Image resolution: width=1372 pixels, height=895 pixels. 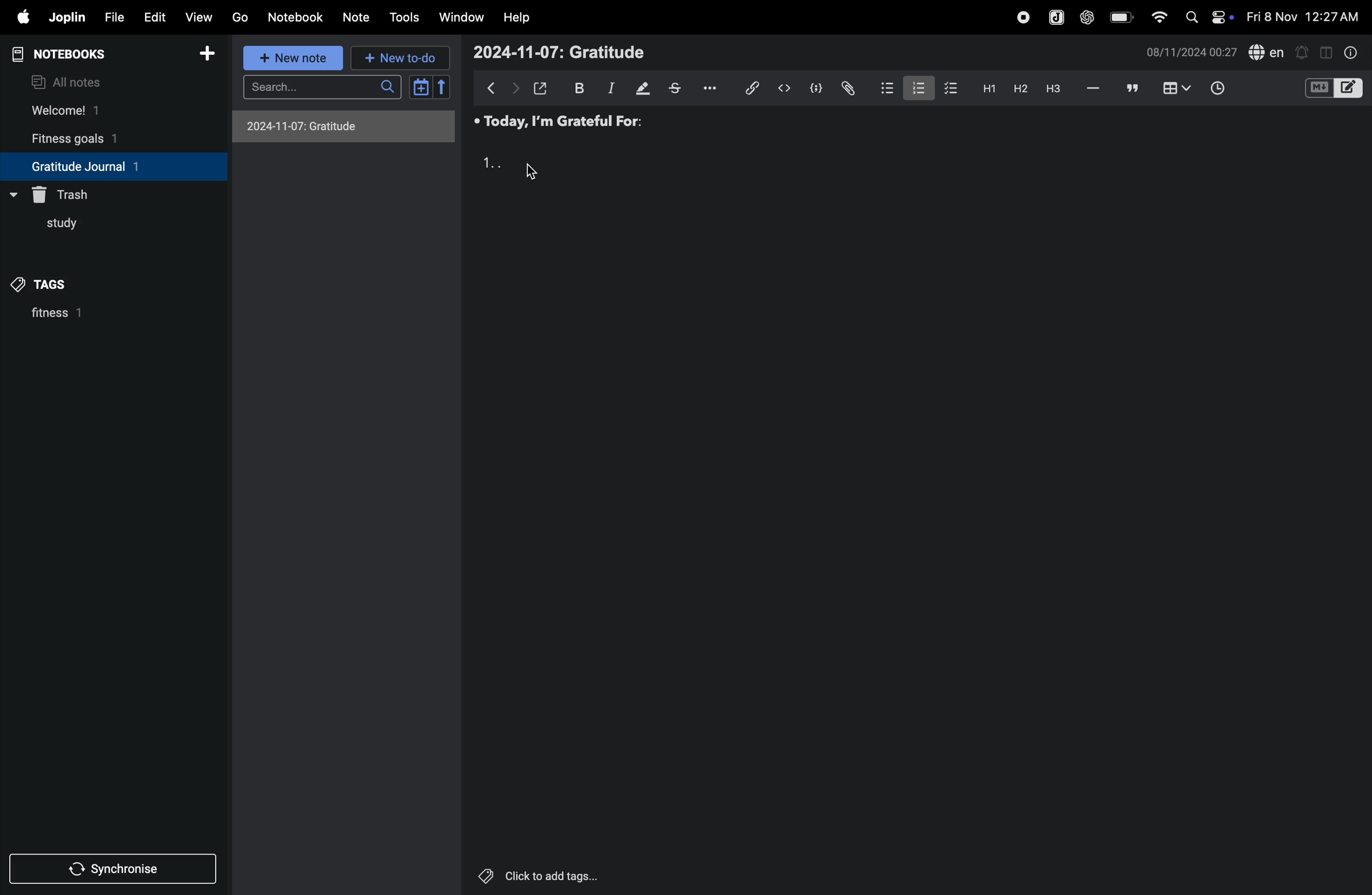 What do you see at coordinates (1158, 18) in the screenshot?
I see `wifi` at bounding box center [1158, 18].